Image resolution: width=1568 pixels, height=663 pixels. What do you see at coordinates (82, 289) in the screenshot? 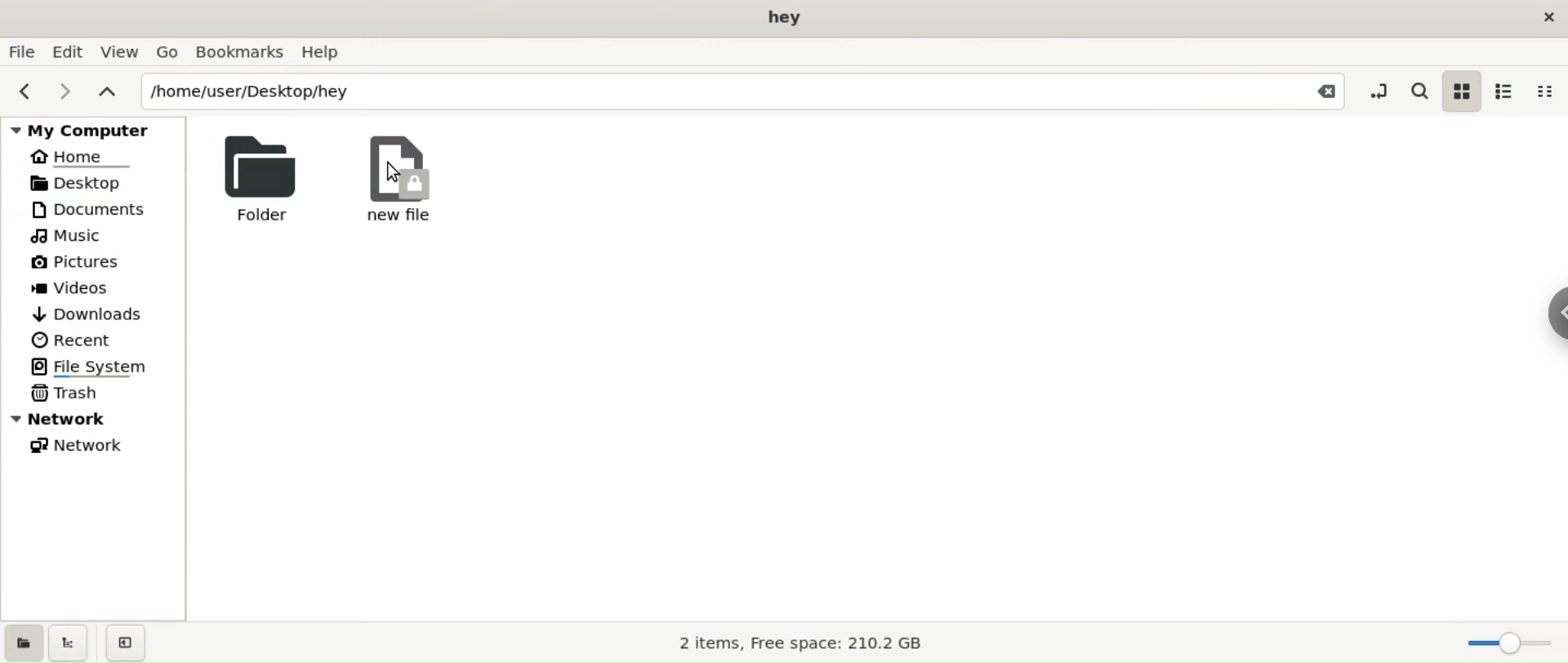
I see `Videos` at bounding box center [82, 289].